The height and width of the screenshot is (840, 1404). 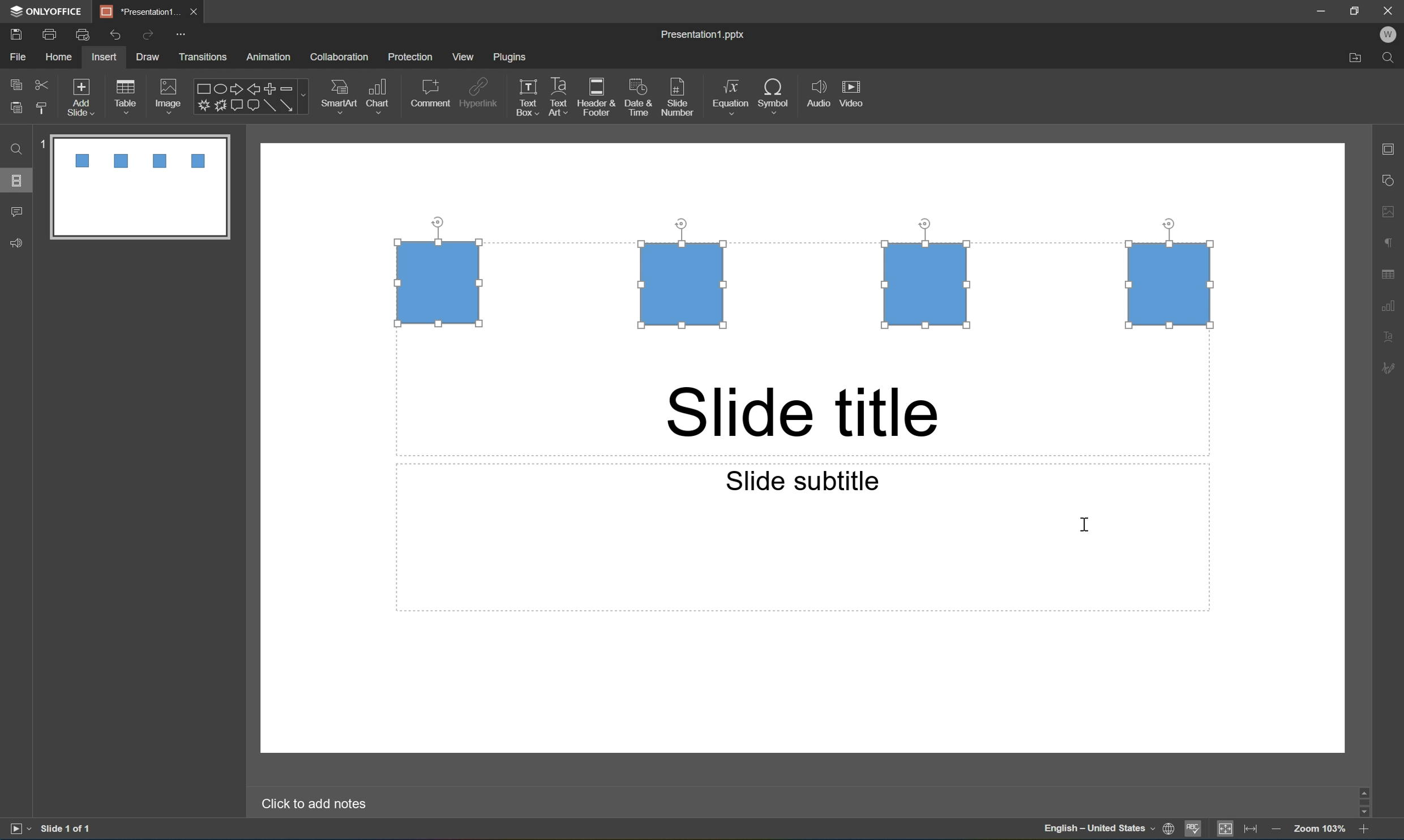 I want to click on fit too slide, so click(x=1226, y=830).